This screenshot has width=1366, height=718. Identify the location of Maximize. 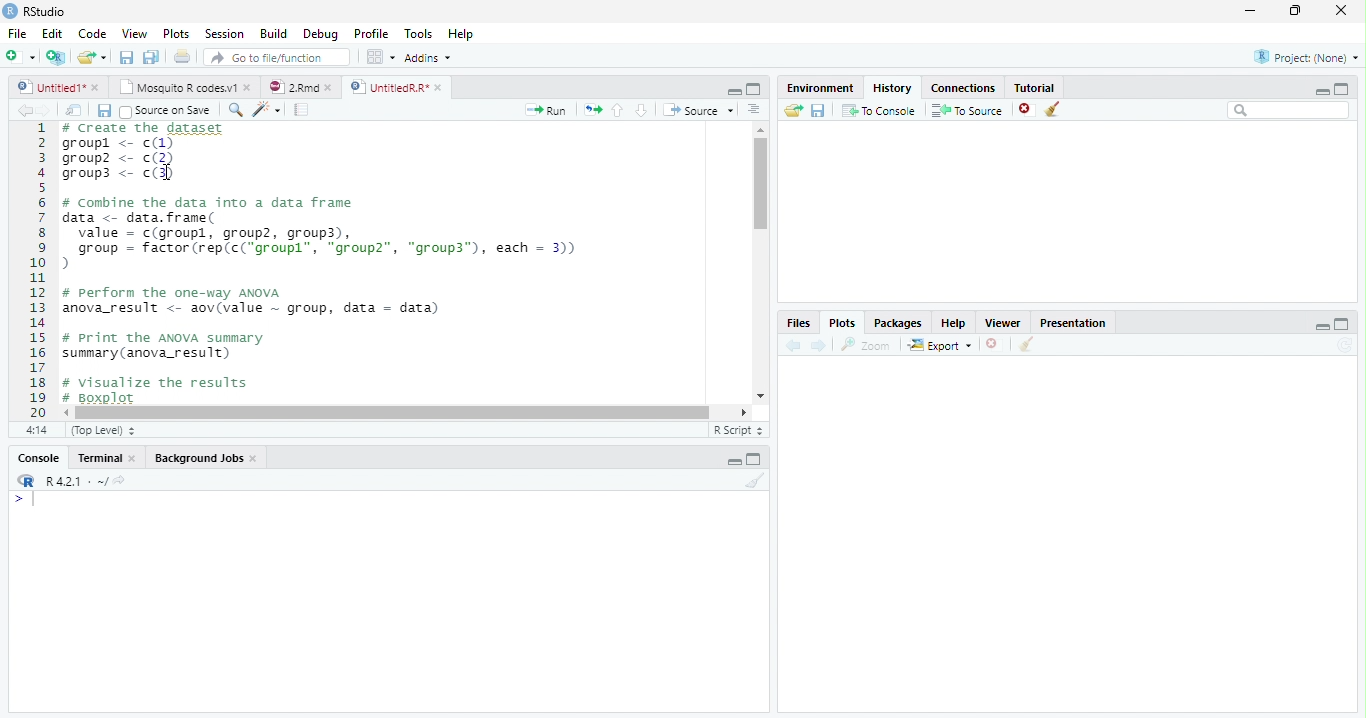
(1342, 325).